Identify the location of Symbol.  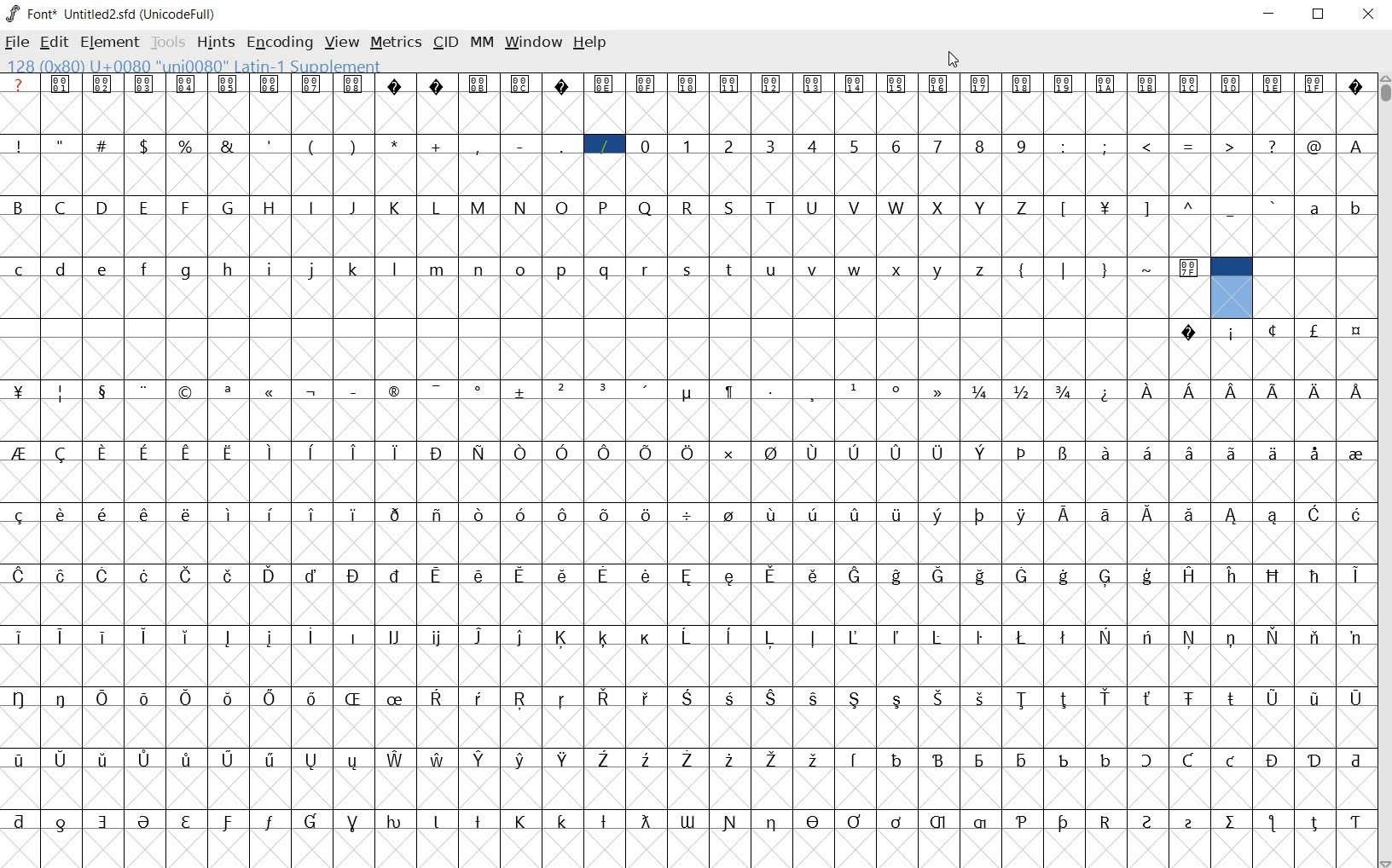
(811, 636).